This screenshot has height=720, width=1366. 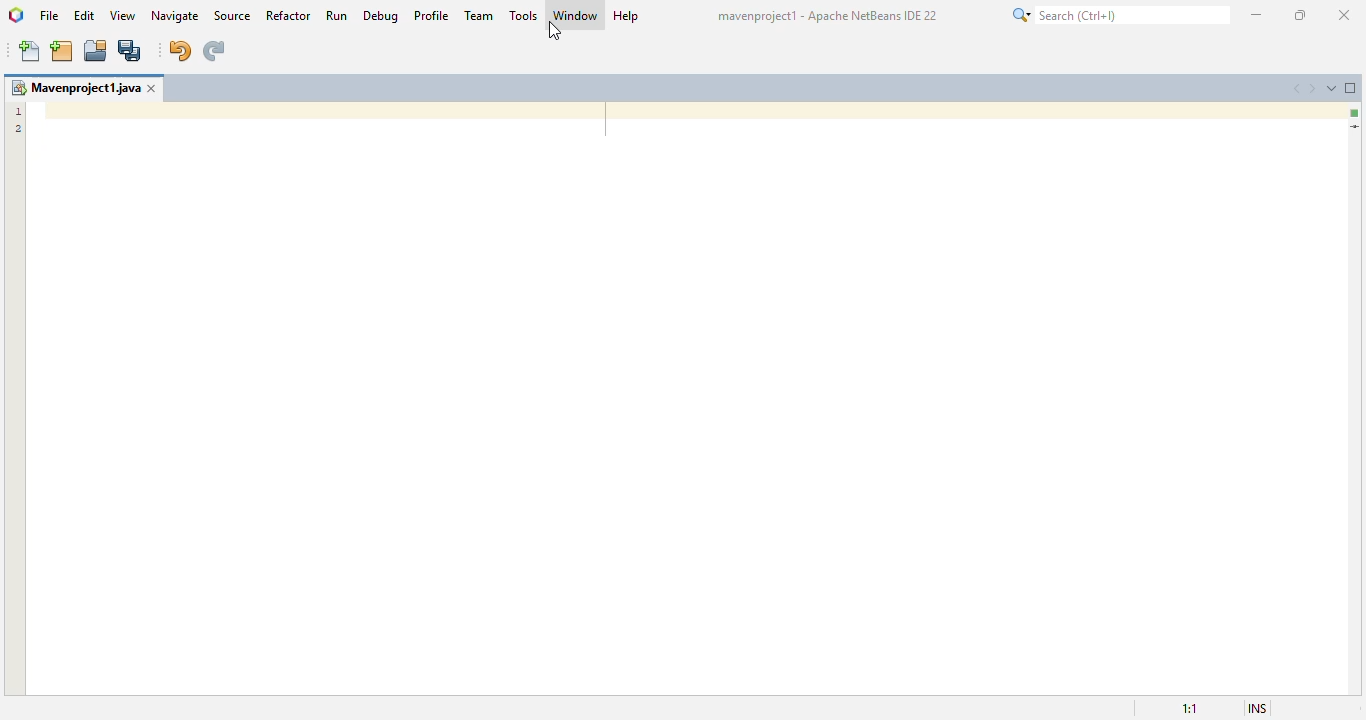 What do you see at coordinates (381, 16) in the screenshot?
I see `debug` at bounding box center [381, 16].